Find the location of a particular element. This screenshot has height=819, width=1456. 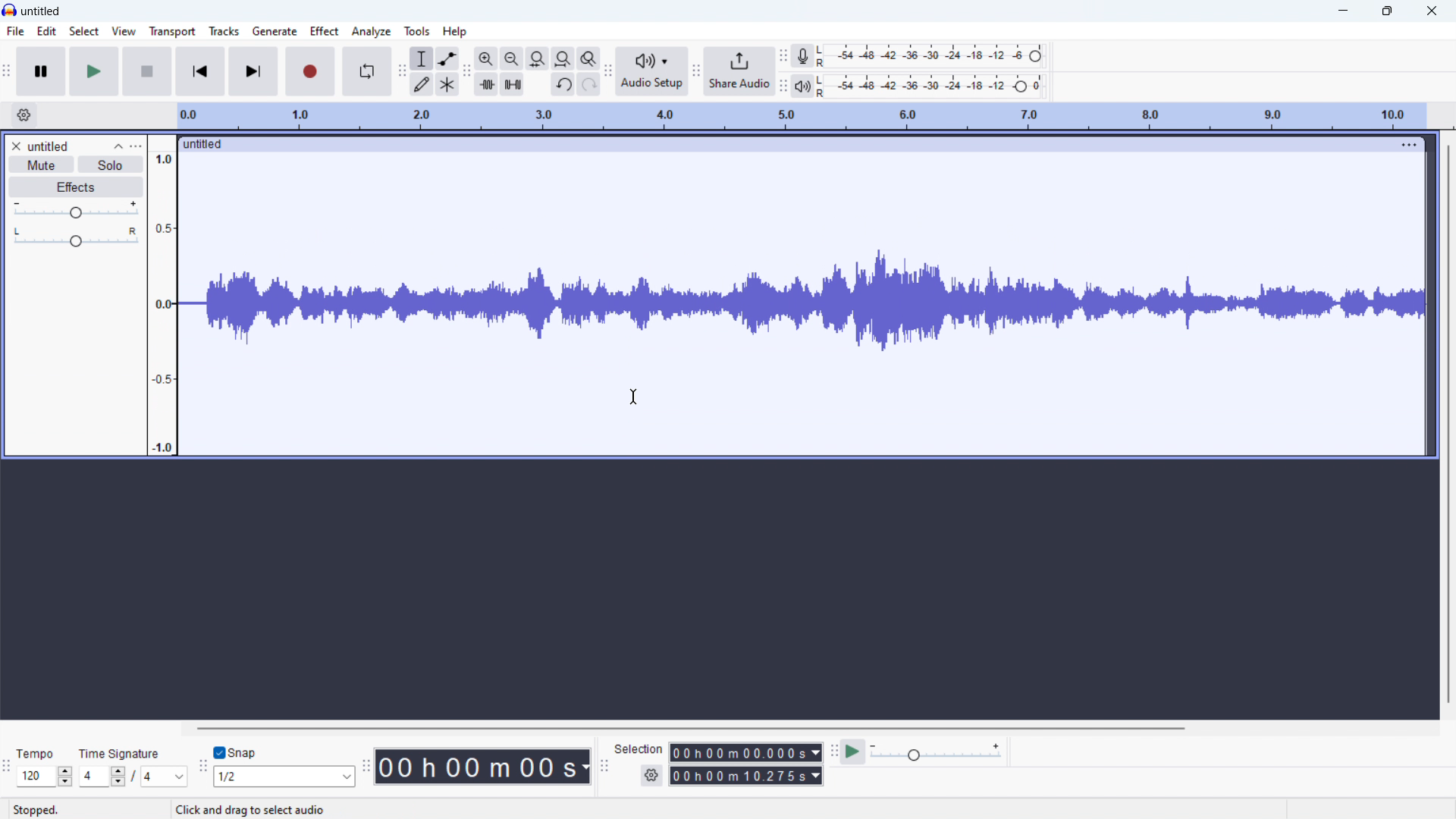

horizontal scrollbar is located at coordinates (689, 726).